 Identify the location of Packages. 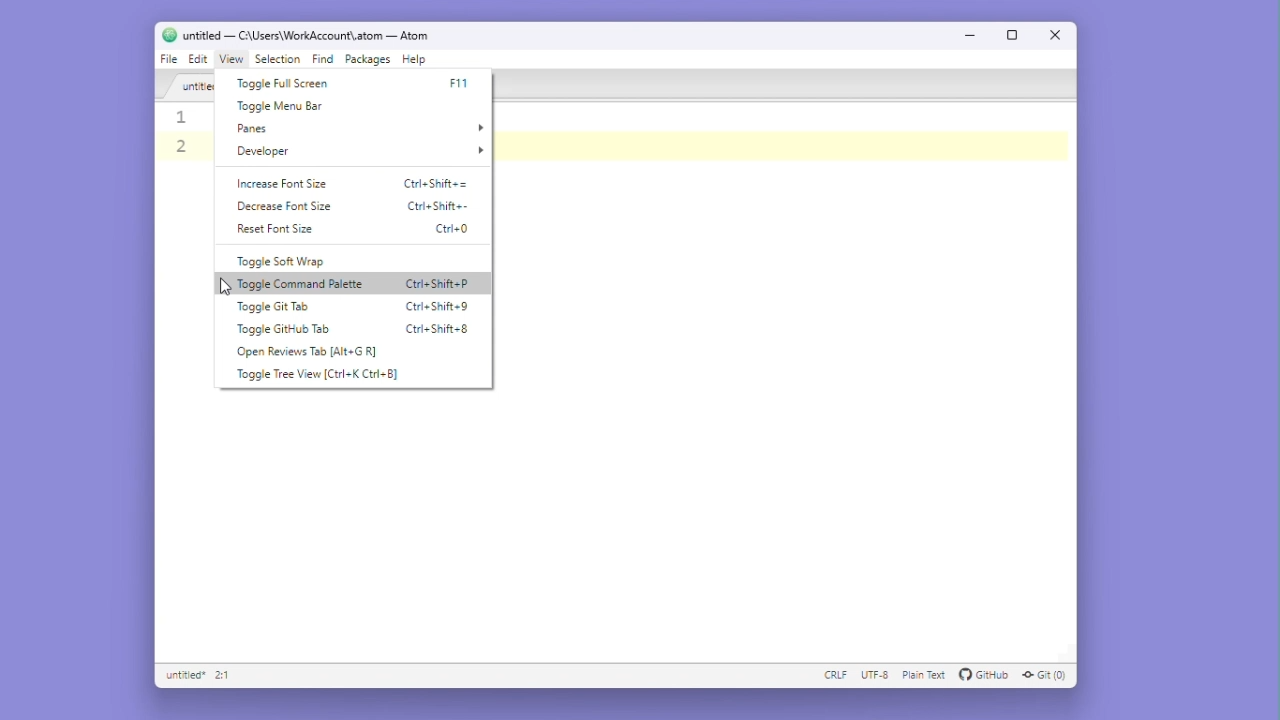
(369, 60).